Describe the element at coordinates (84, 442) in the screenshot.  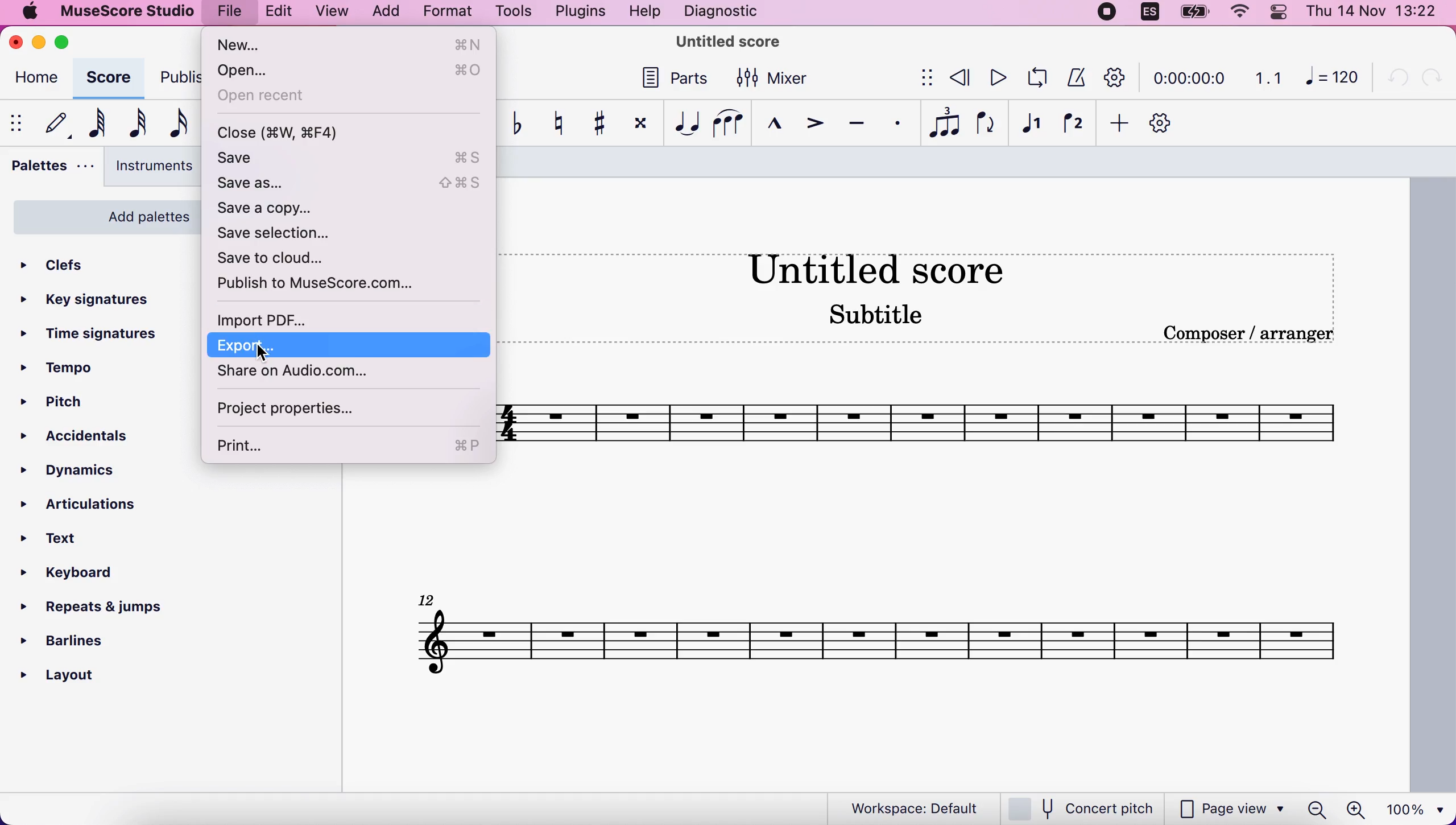
I see `accidentals` at that location.